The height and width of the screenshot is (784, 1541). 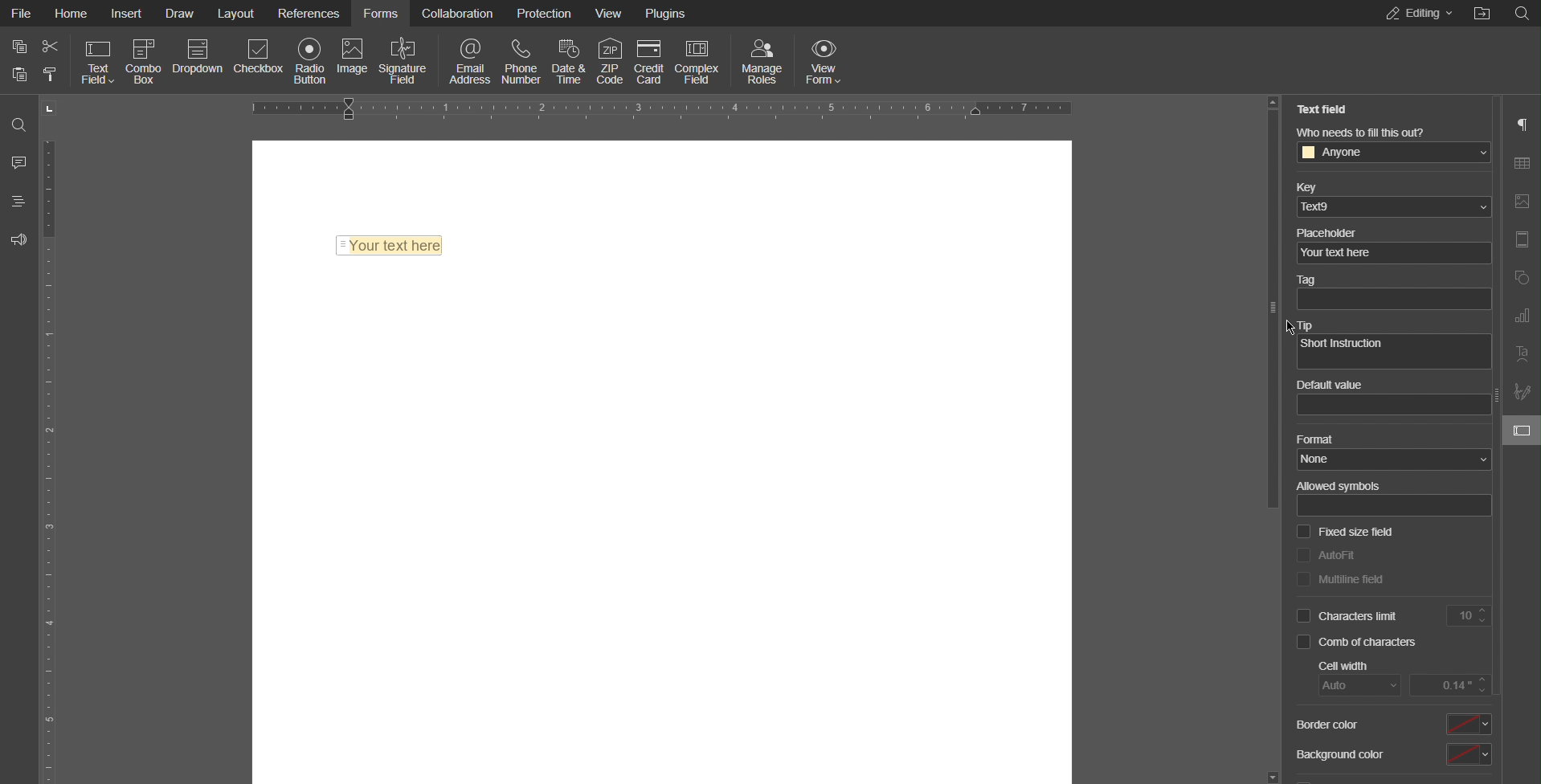 I want to click on Background Color, so click(x=1341, y=760).